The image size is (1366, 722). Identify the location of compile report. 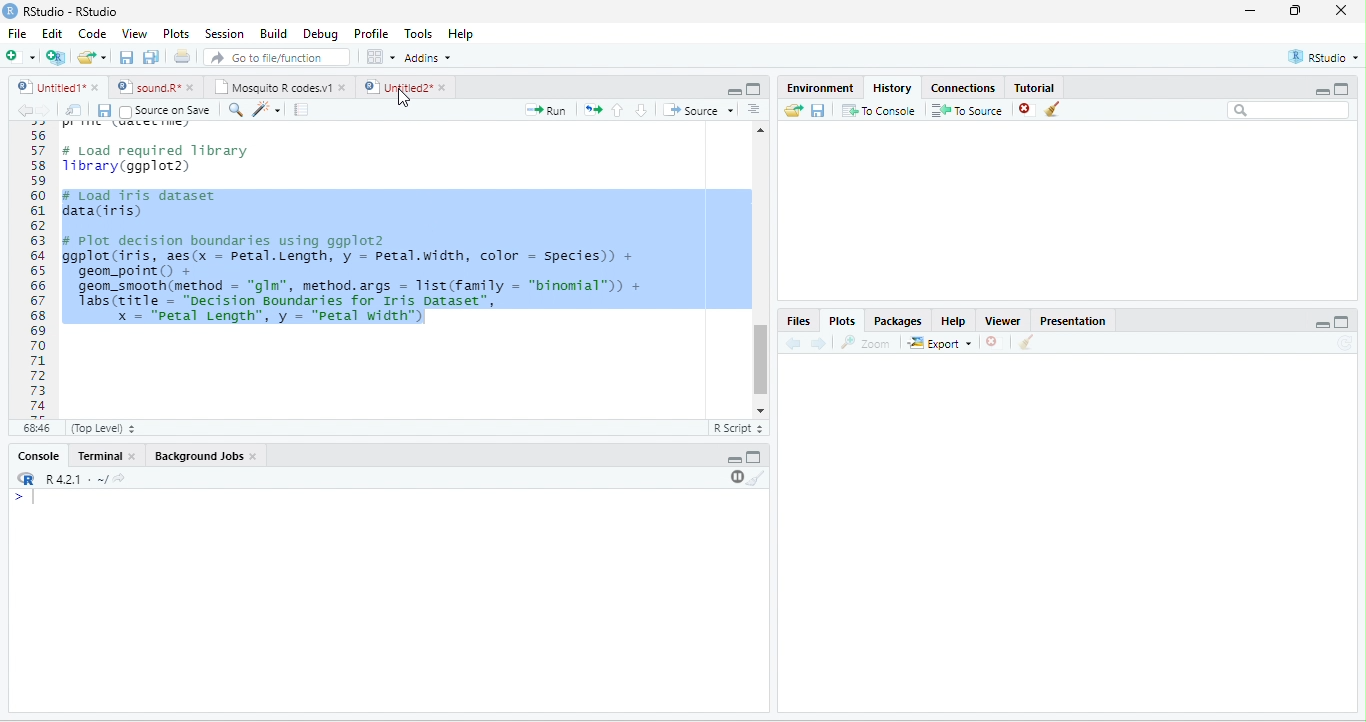
(301, 109).